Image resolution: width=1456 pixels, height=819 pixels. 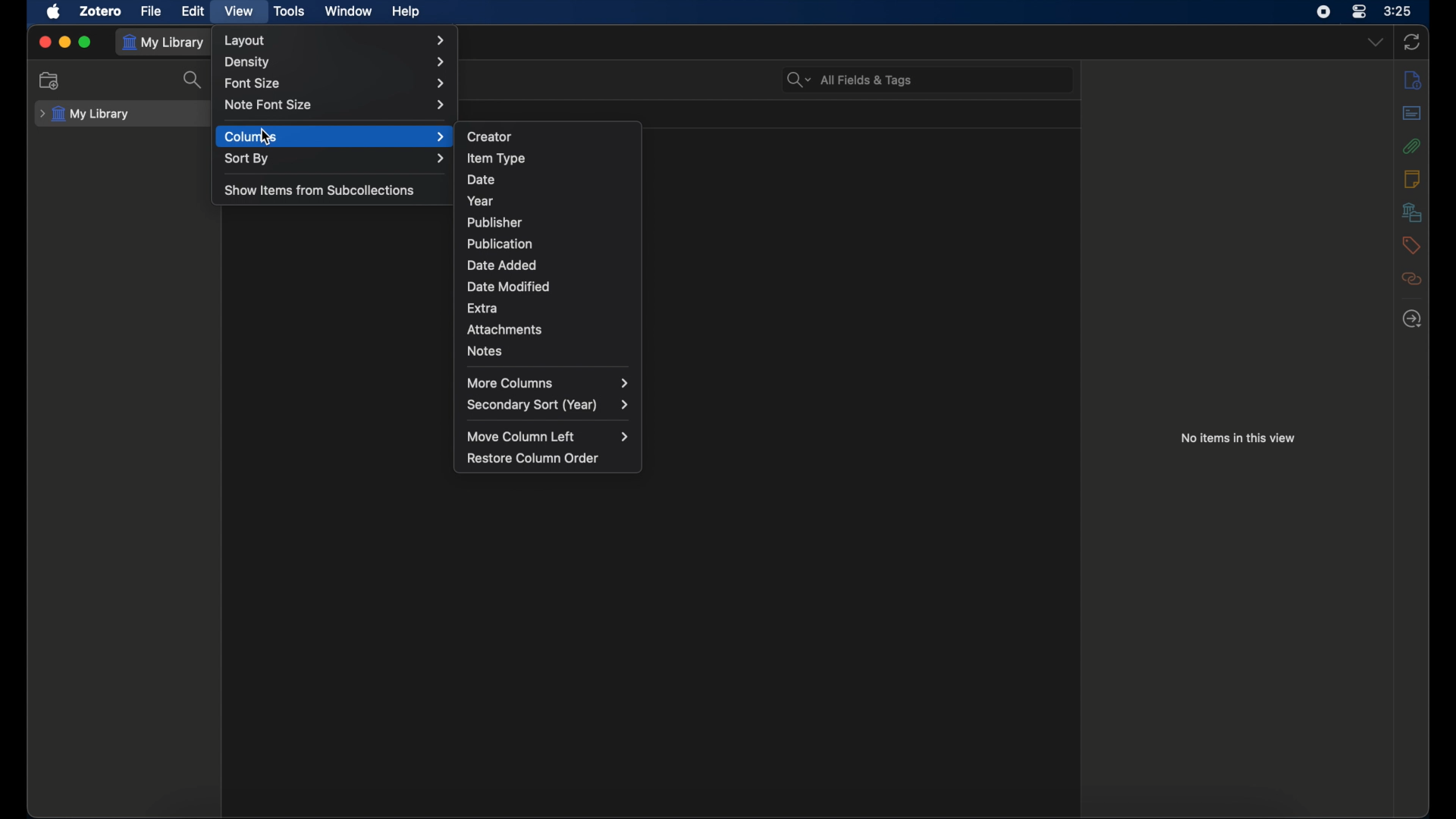 What do you see at coordinates (495, 222) in the screenshot?
I see `publisher` at bounding box center [495, 222].